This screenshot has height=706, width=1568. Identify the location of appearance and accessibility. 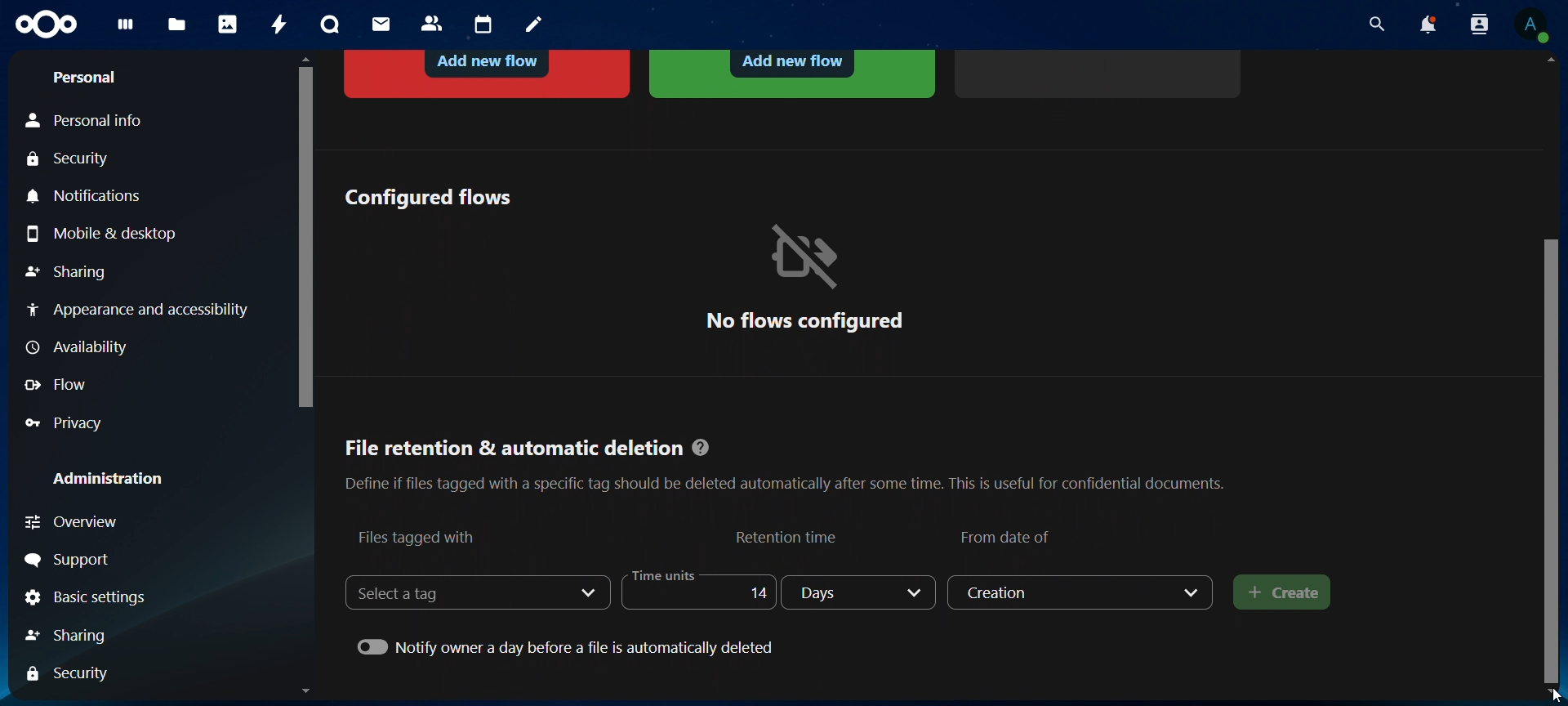
(136, 309).